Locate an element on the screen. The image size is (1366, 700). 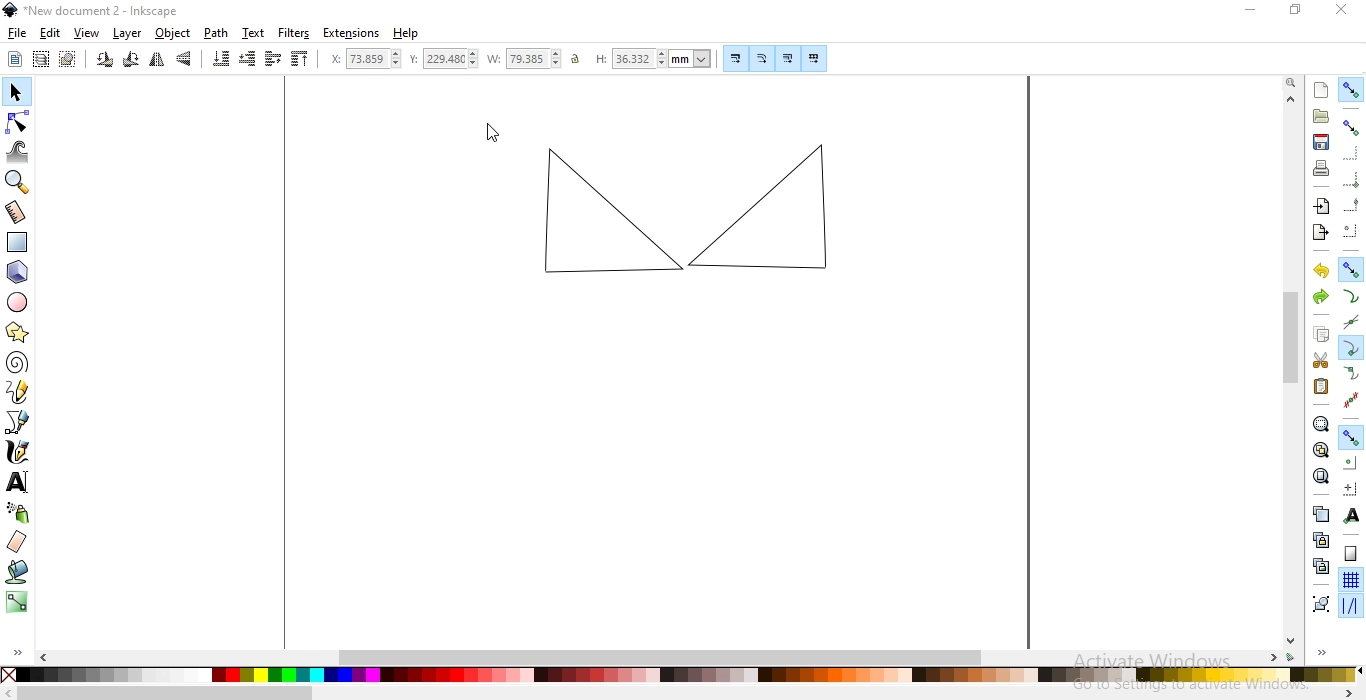
object is located at coordinates (172, 34).